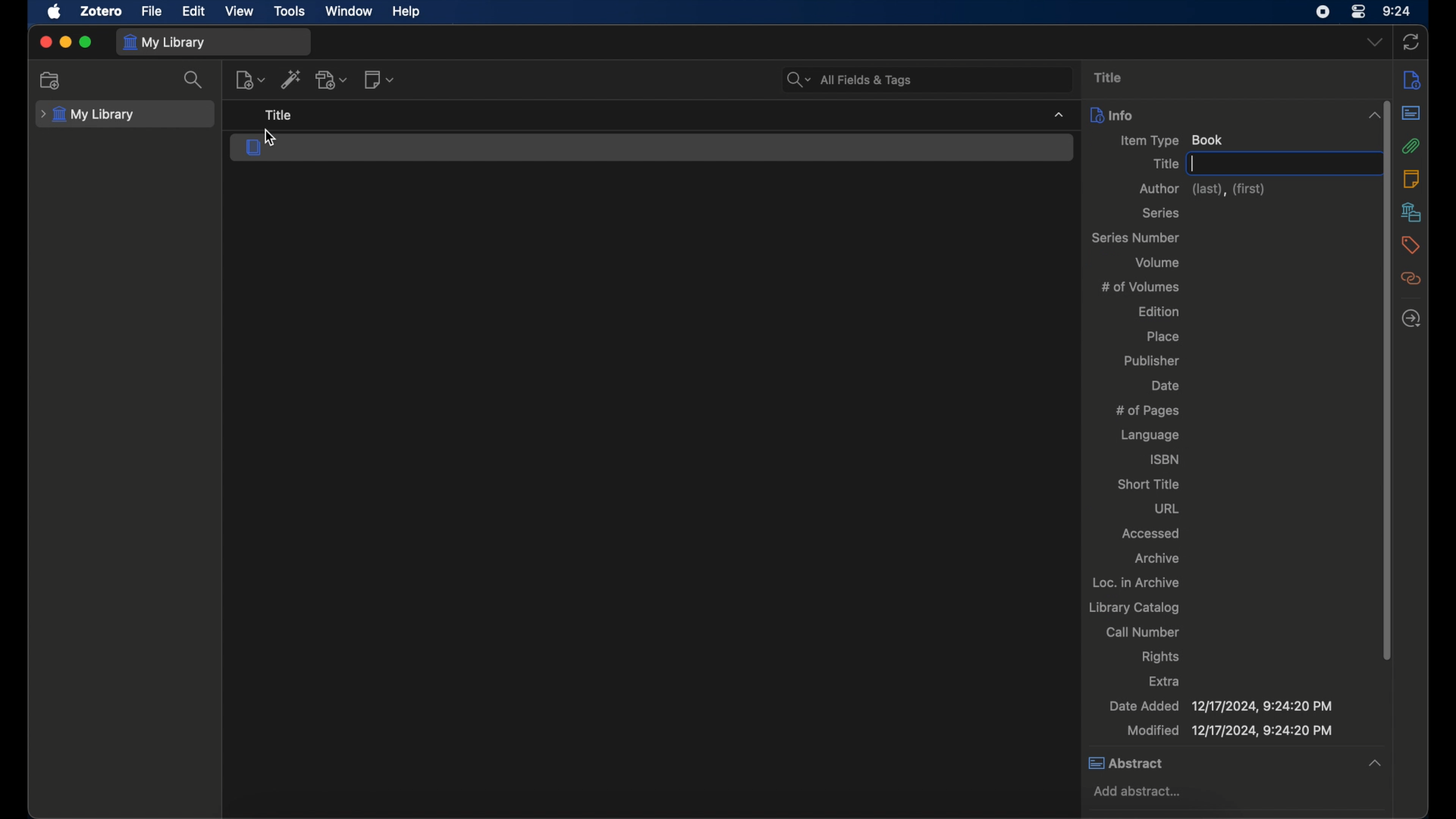 The image size is (1456, 819). Describe the element at coordinates (1219, 706) in the screenshot. I see `date added` at that location.